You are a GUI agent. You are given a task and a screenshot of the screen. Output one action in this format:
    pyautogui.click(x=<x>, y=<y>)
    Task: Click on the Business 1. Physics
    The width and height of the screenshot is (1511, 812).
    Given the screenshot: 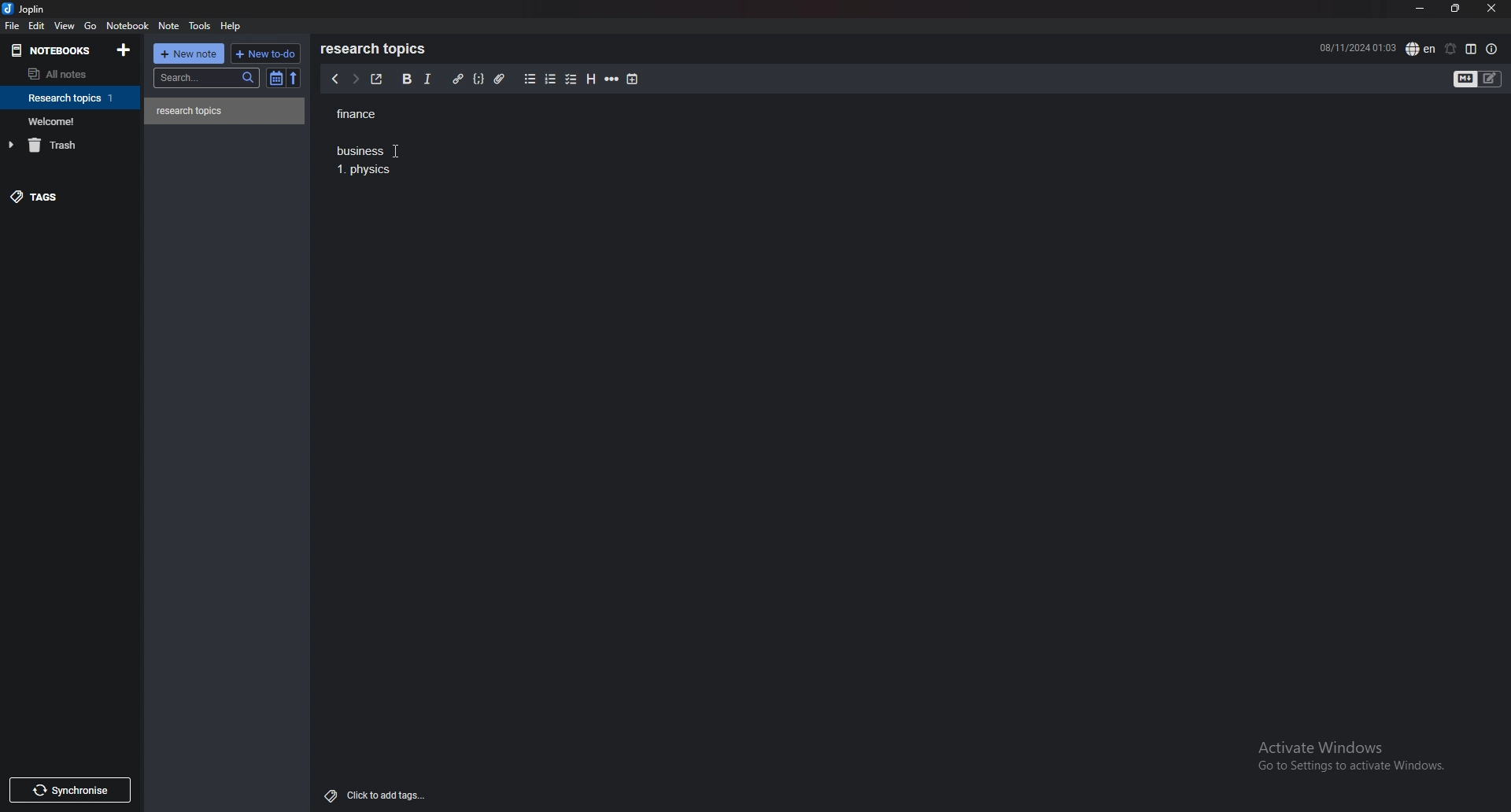 What is the action you would take?
    pyautogui.click(x=365, y=164)
    